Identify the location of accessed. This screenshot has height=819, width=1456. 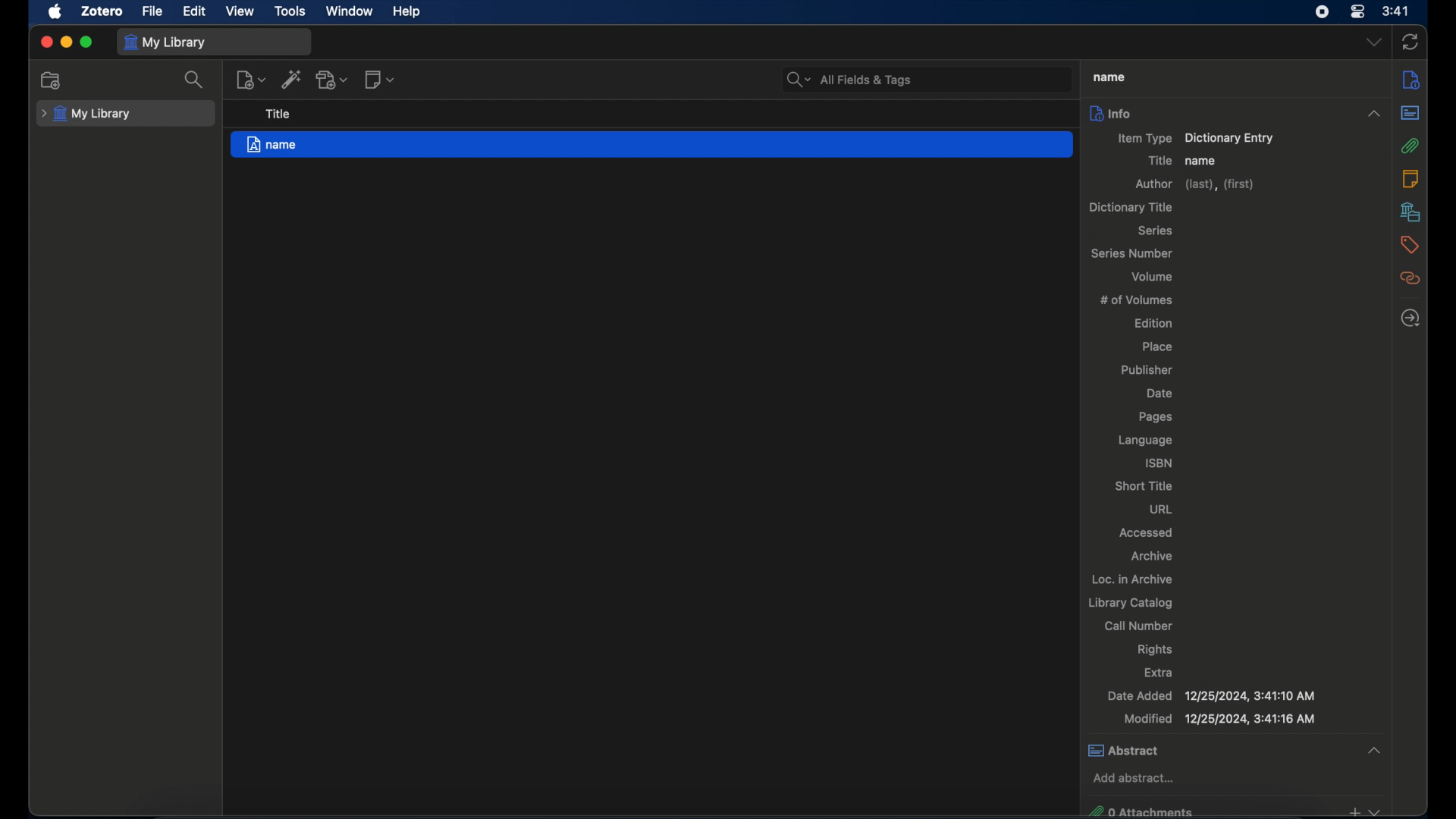
(1148, 532).